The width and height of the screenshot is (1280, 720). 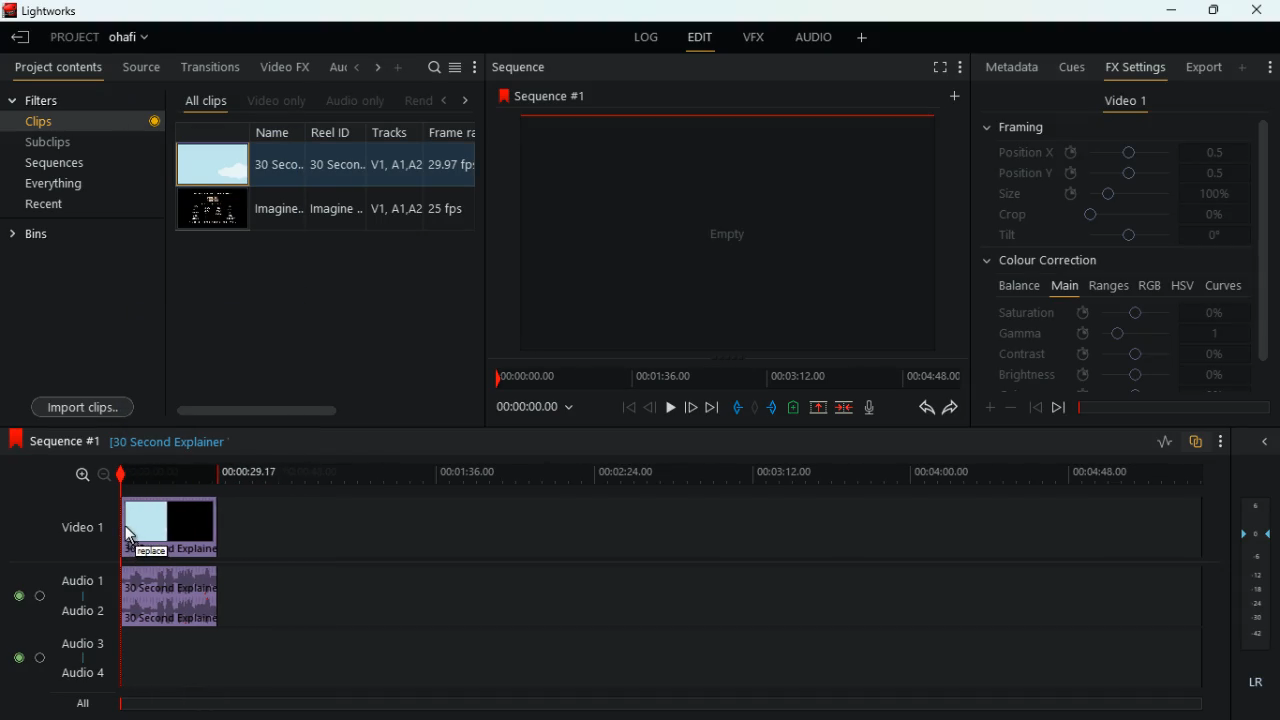 I want to click on video 1, so click(x=1123, y=104).